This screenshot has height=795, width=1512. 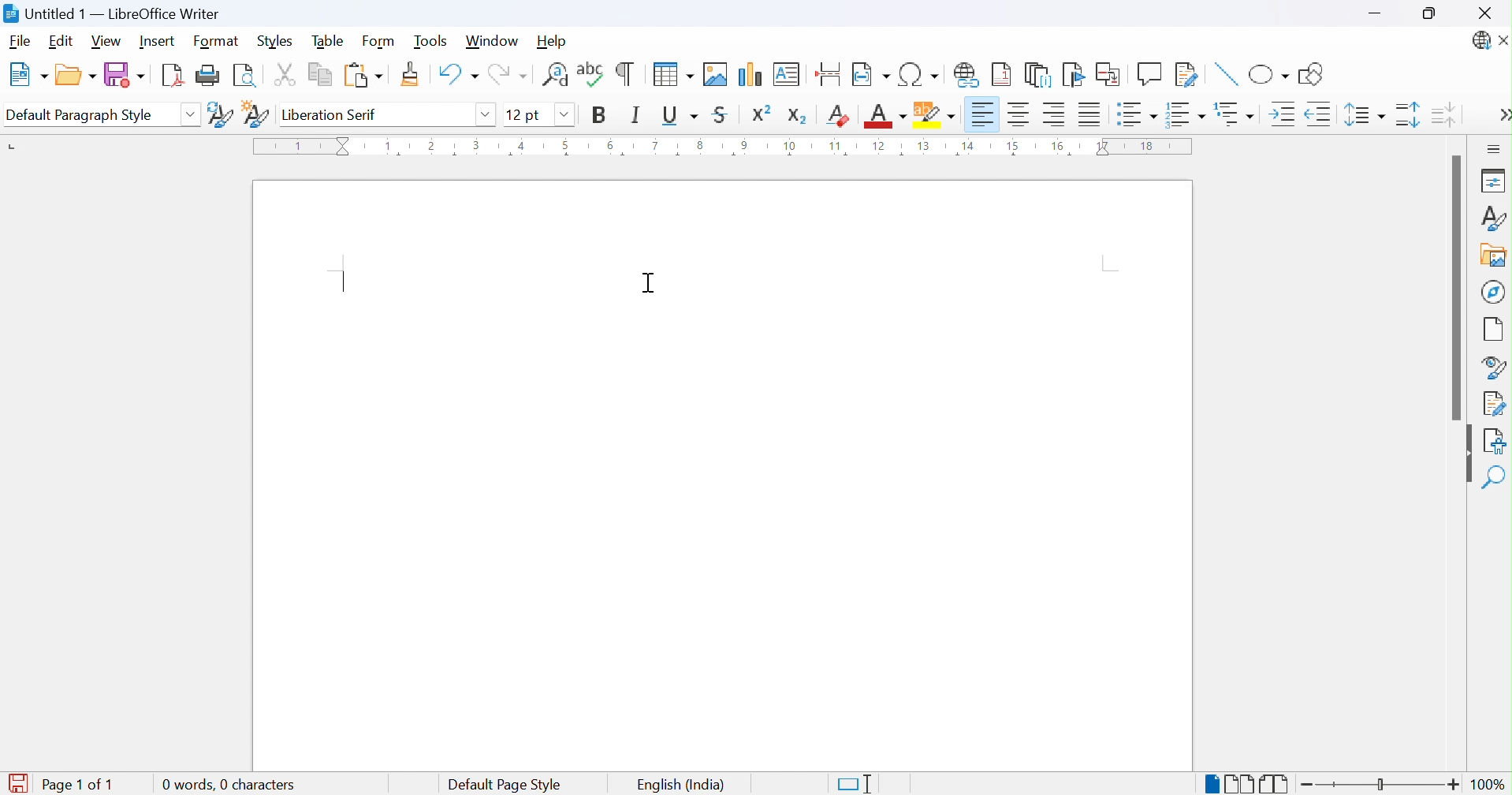 I want to click on Insert cross-reference, so click(x=1108, y=76).